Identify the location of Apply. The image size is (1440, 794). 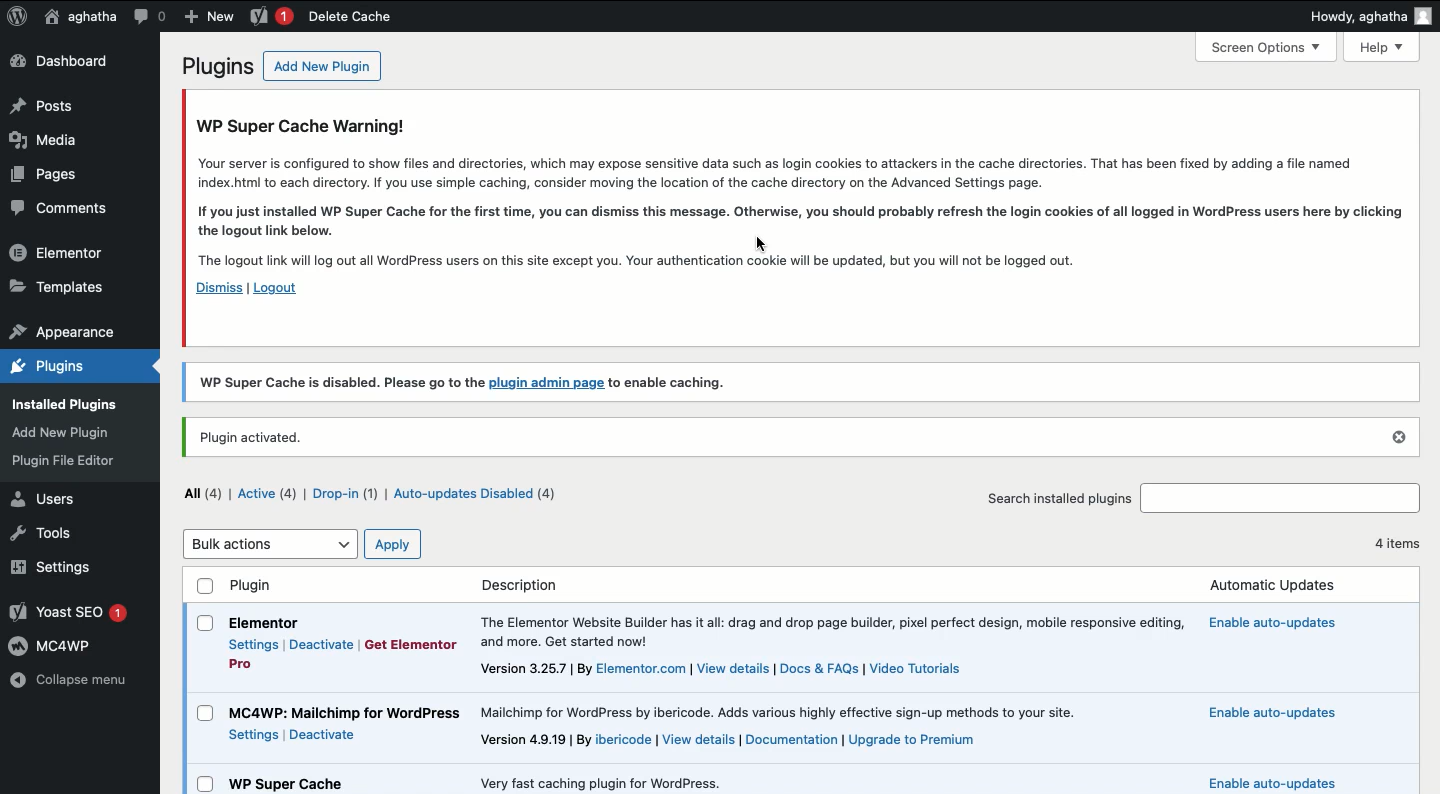
(392, 544).